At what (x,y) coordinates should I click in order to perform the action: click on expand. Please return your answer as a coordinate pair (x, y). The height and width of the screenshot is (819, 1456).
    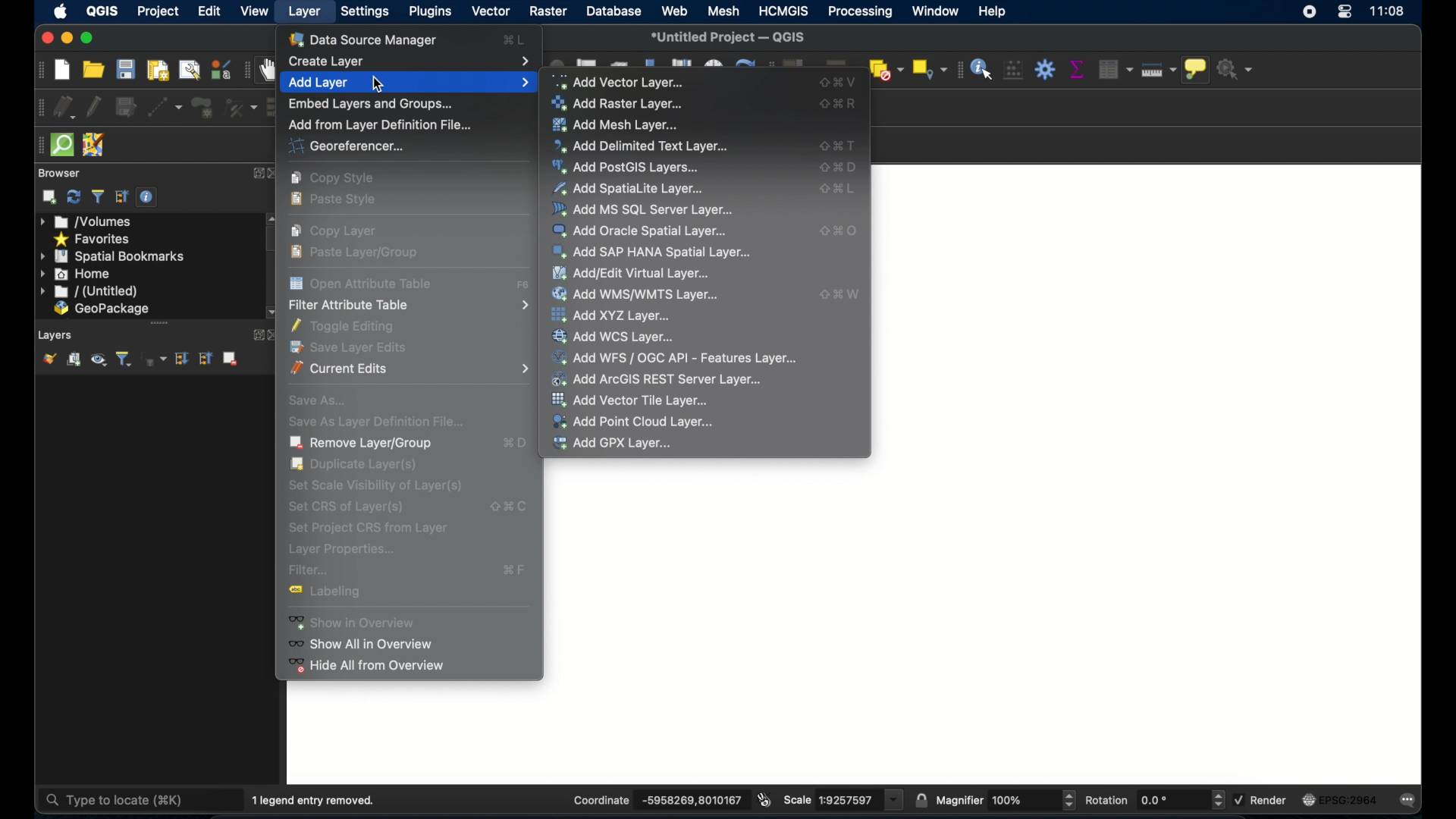
    Looking at the image, I should click on (254, 335).